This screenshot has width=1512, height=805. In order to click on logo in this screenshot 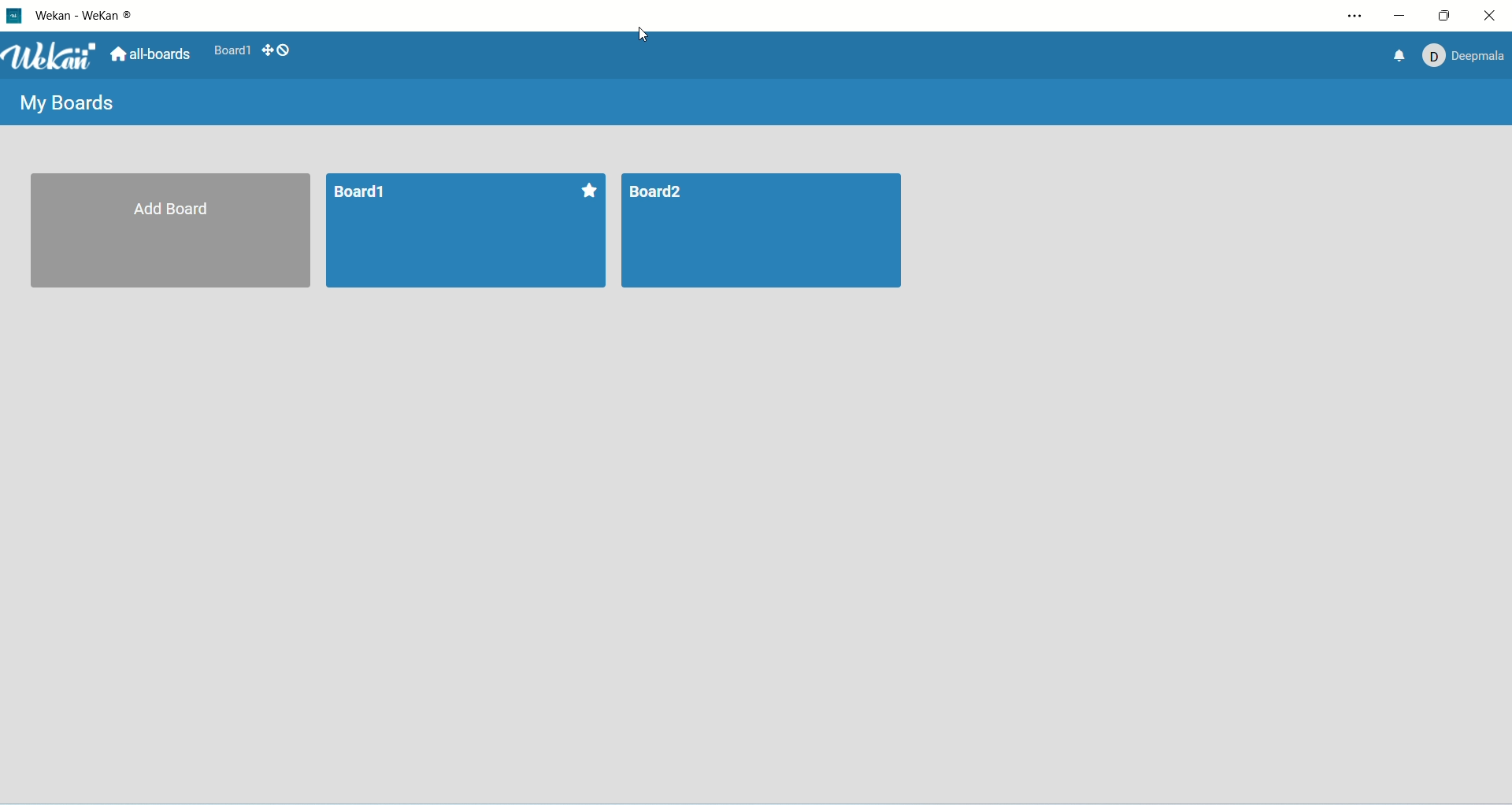, I will do `click(14, 15)`.